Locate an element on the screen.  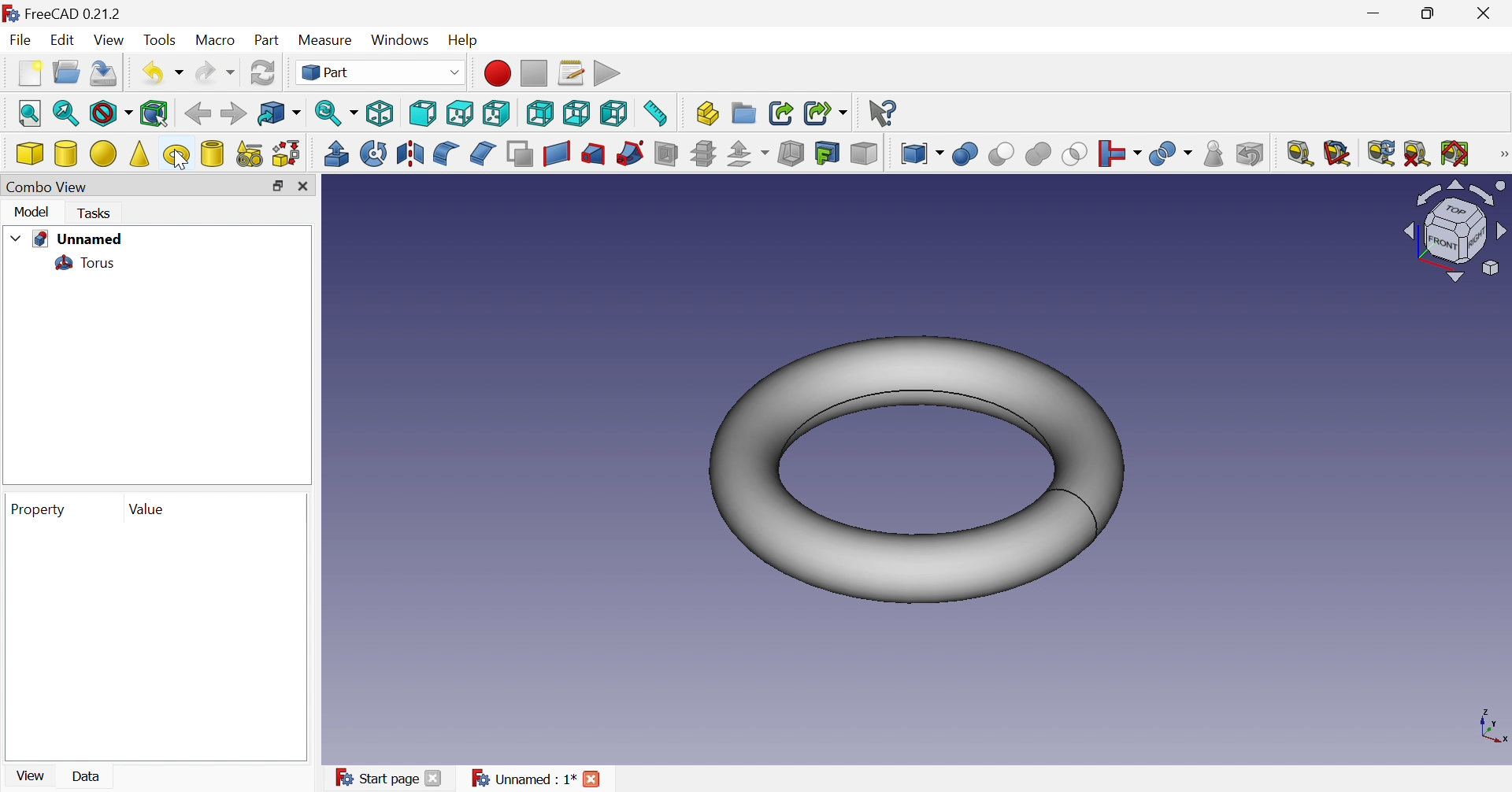
Undo is located at coordinates (161, 72).